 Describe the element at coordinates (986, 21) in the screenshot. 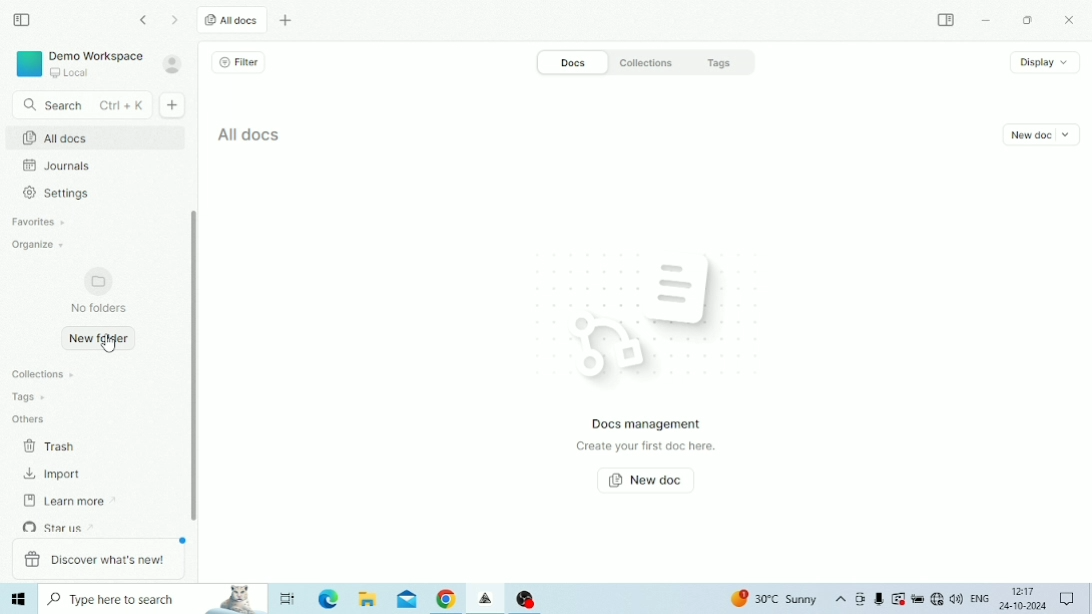

I see `Minimize` at that location.